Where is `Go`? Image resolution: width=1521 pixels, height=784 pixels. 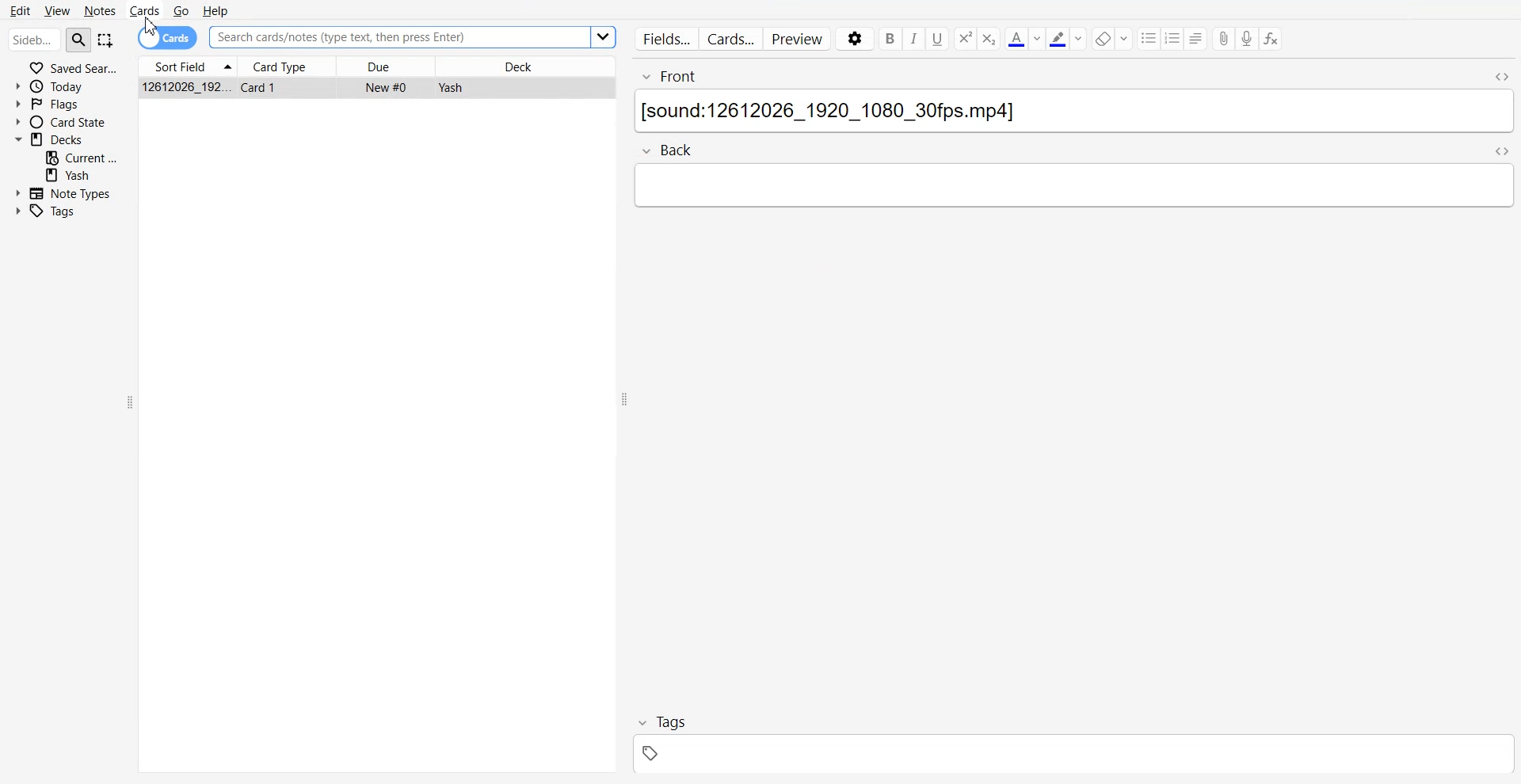
Go is located at coordinates (180, 10).